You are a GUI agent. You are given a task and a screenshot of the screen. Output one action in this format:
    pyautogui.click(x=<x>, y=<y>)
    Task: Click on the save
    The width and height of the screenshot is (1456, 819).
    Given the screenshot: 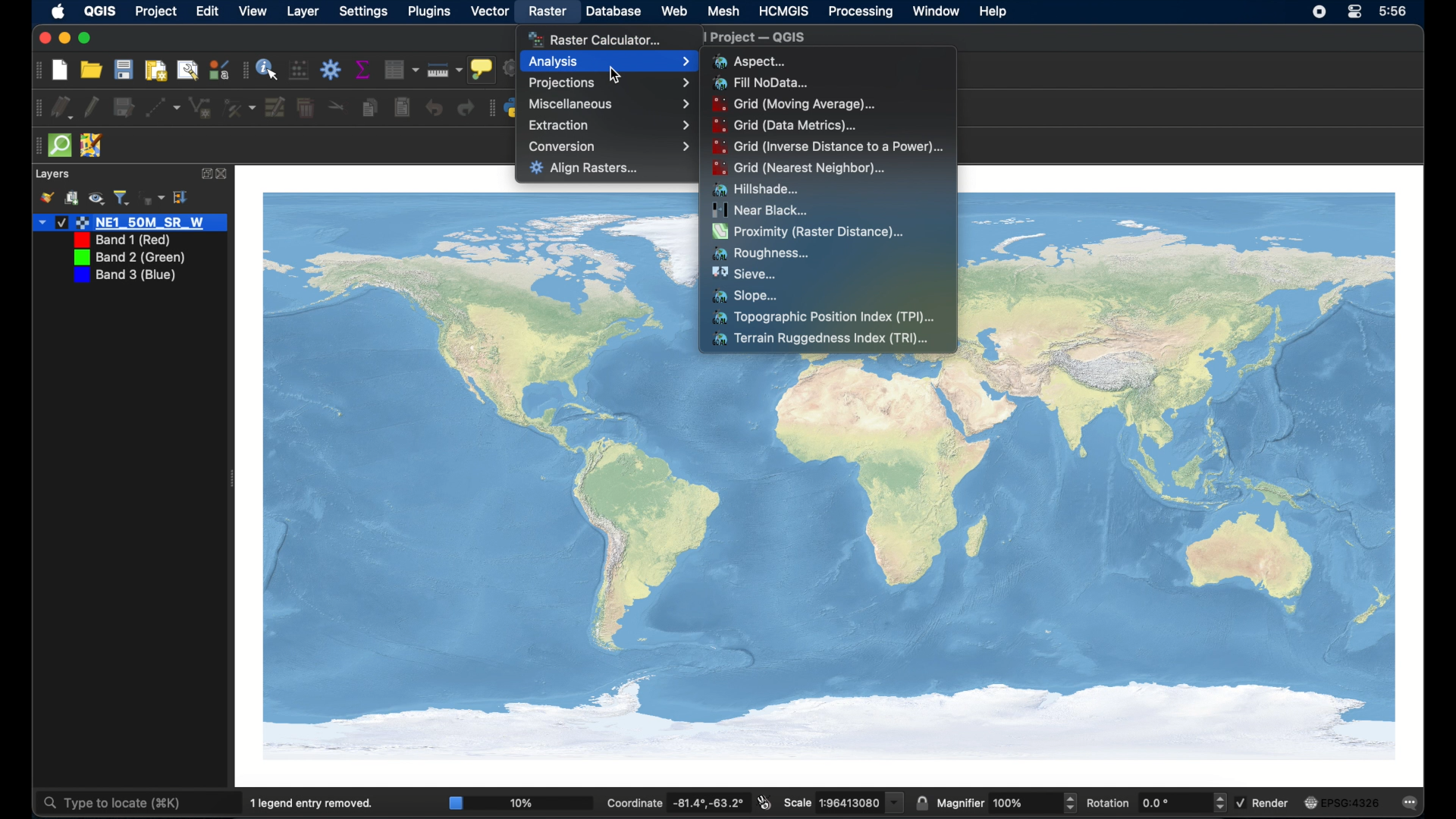 What is the action you would take?
    pyautogui.click(x=123, y=70)
    